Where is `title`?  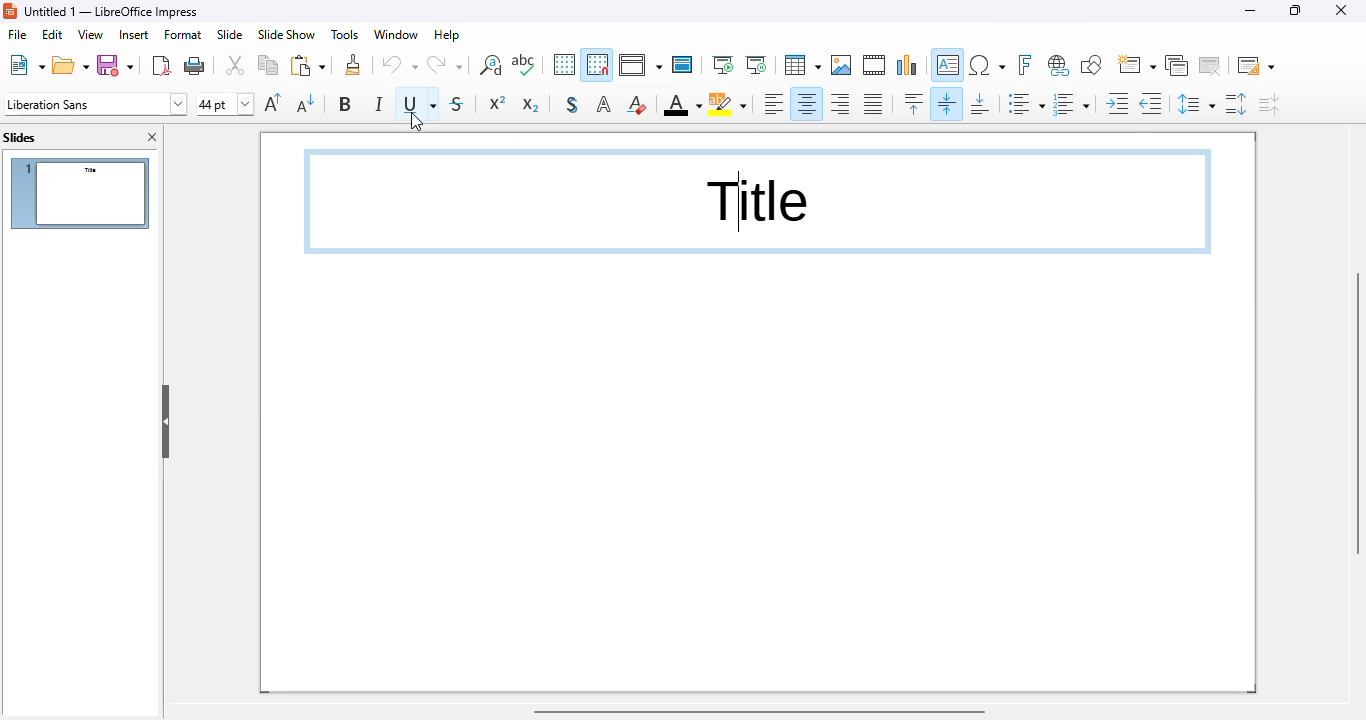 title is located at coordinates (112, 12).